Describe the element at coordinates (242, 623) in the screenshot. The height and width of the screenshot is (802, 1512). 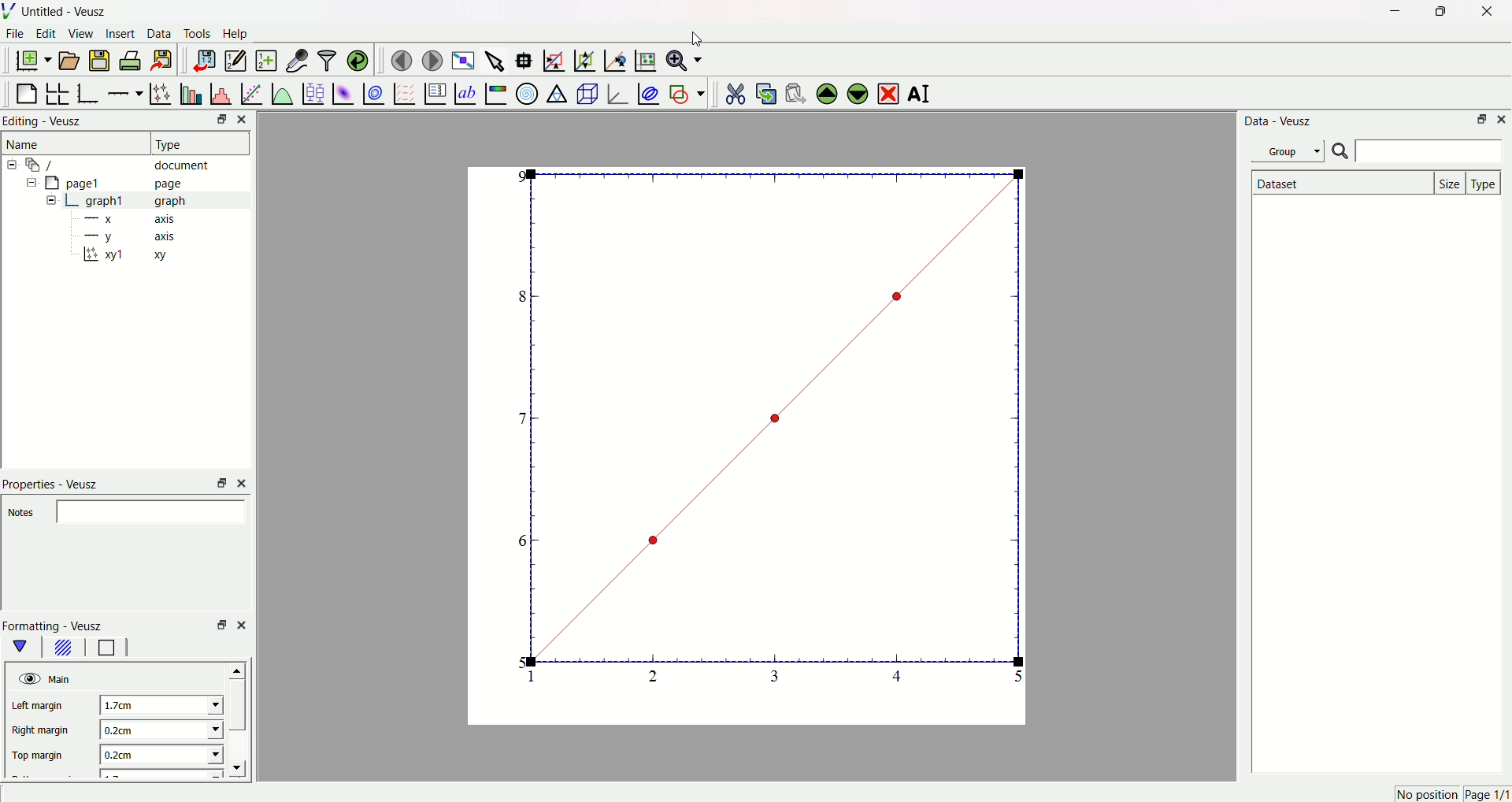
I see `close` at that location.